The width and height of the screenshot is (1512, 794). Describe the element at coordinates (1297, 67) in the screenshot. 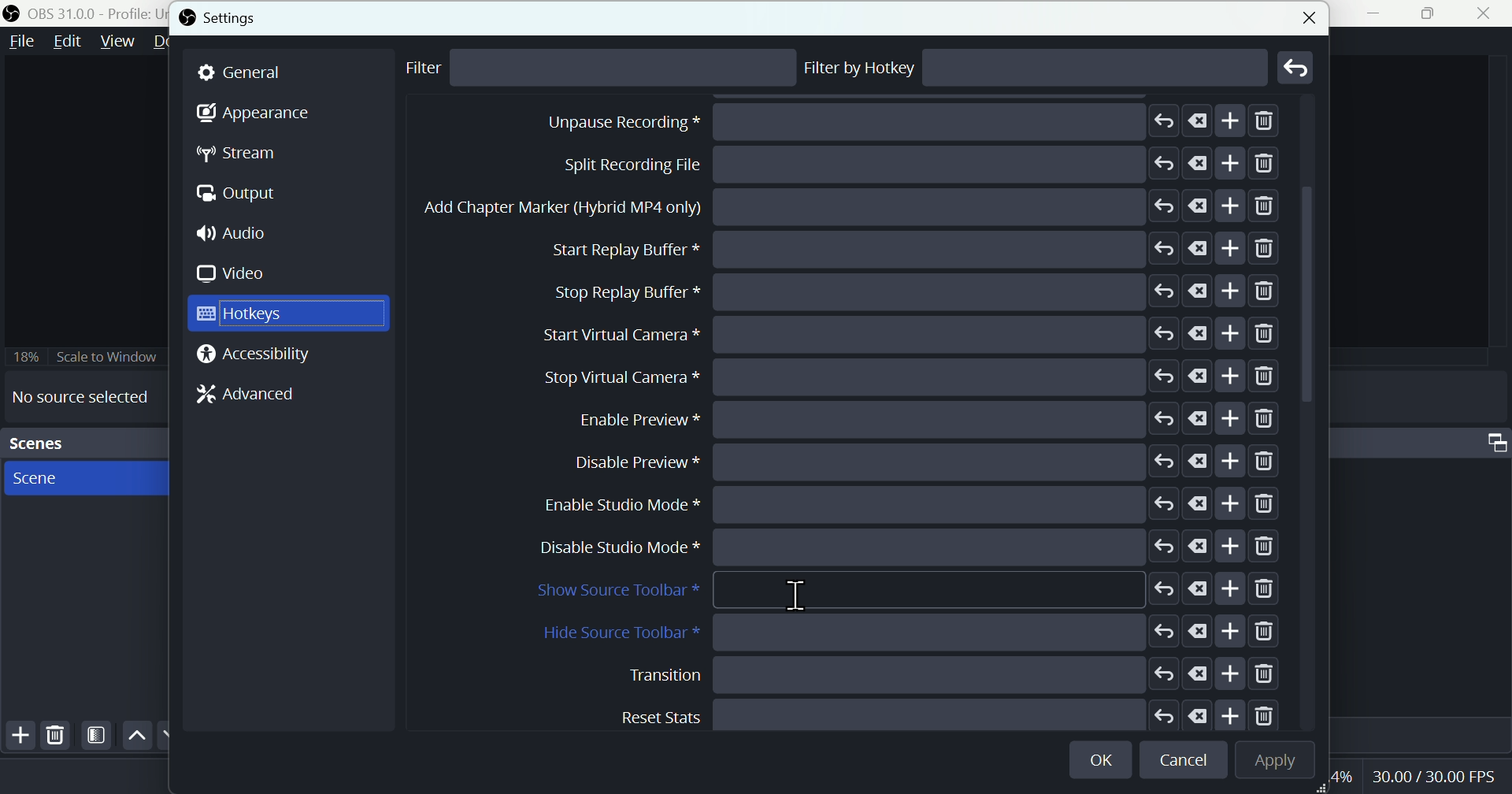

I see `Go back` at that location.